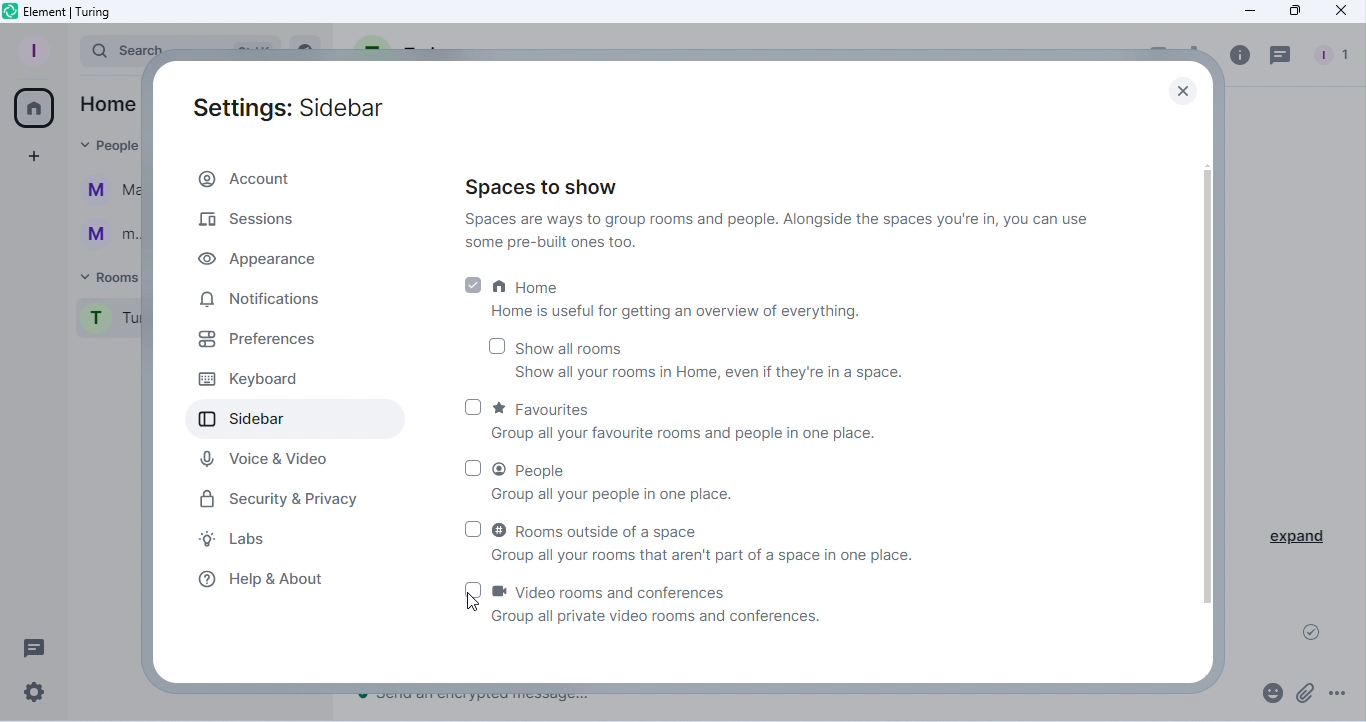  I want to click on Message sent, so click(1319, 629).